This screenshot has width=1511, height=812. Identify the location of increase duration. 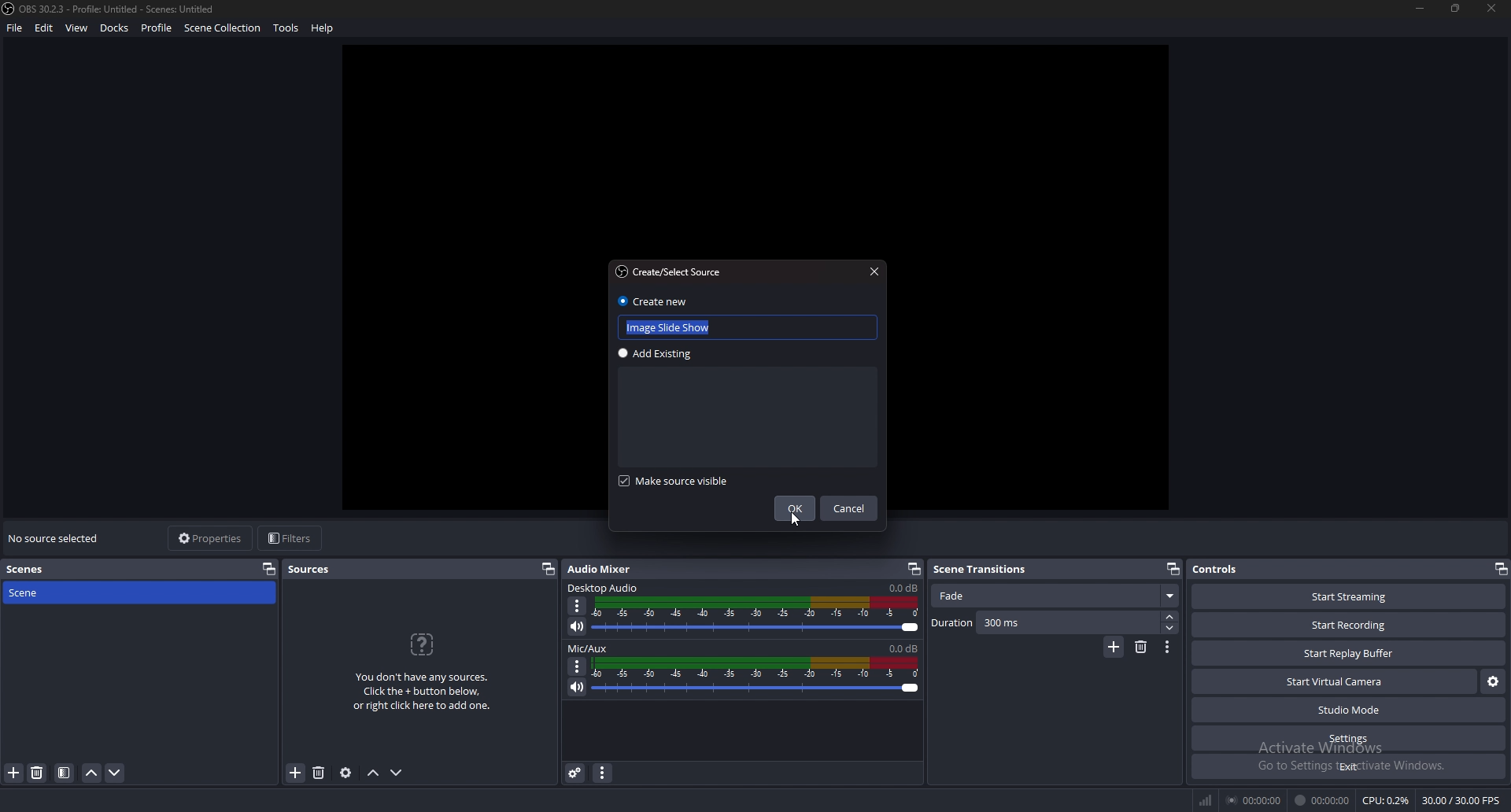
(1169, 617).